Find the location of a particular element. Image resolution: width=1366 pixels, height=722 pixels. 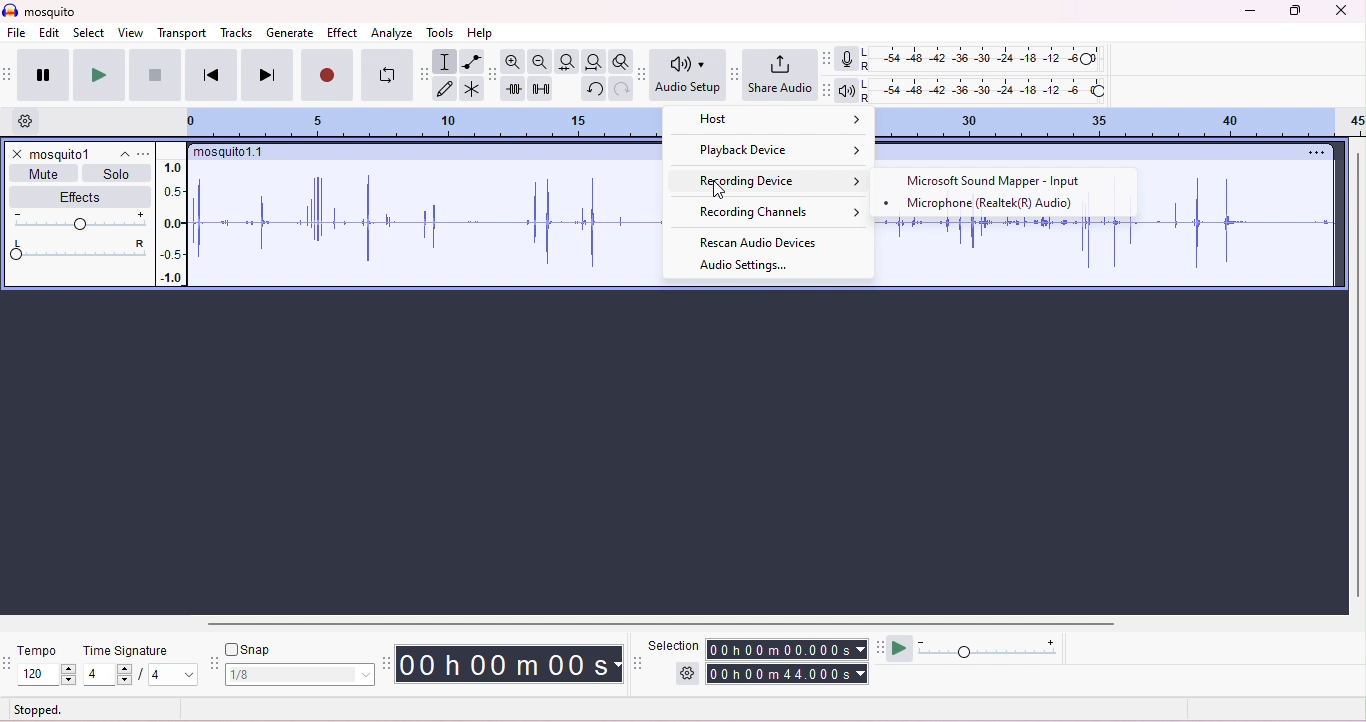

envelop is located at coordinates (472, 61).